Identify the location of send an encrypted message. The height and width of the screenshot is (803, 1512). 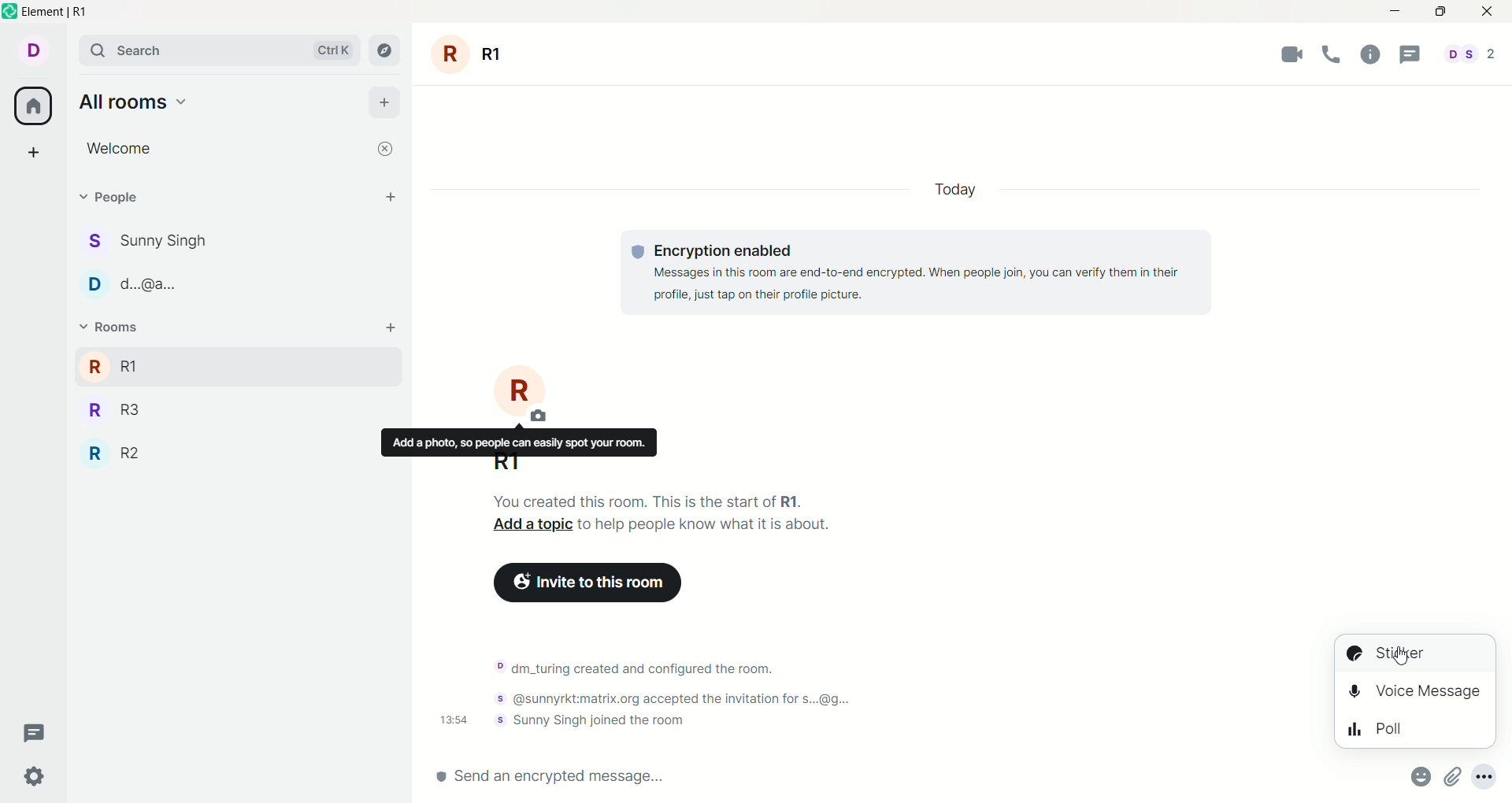
(873, 777).